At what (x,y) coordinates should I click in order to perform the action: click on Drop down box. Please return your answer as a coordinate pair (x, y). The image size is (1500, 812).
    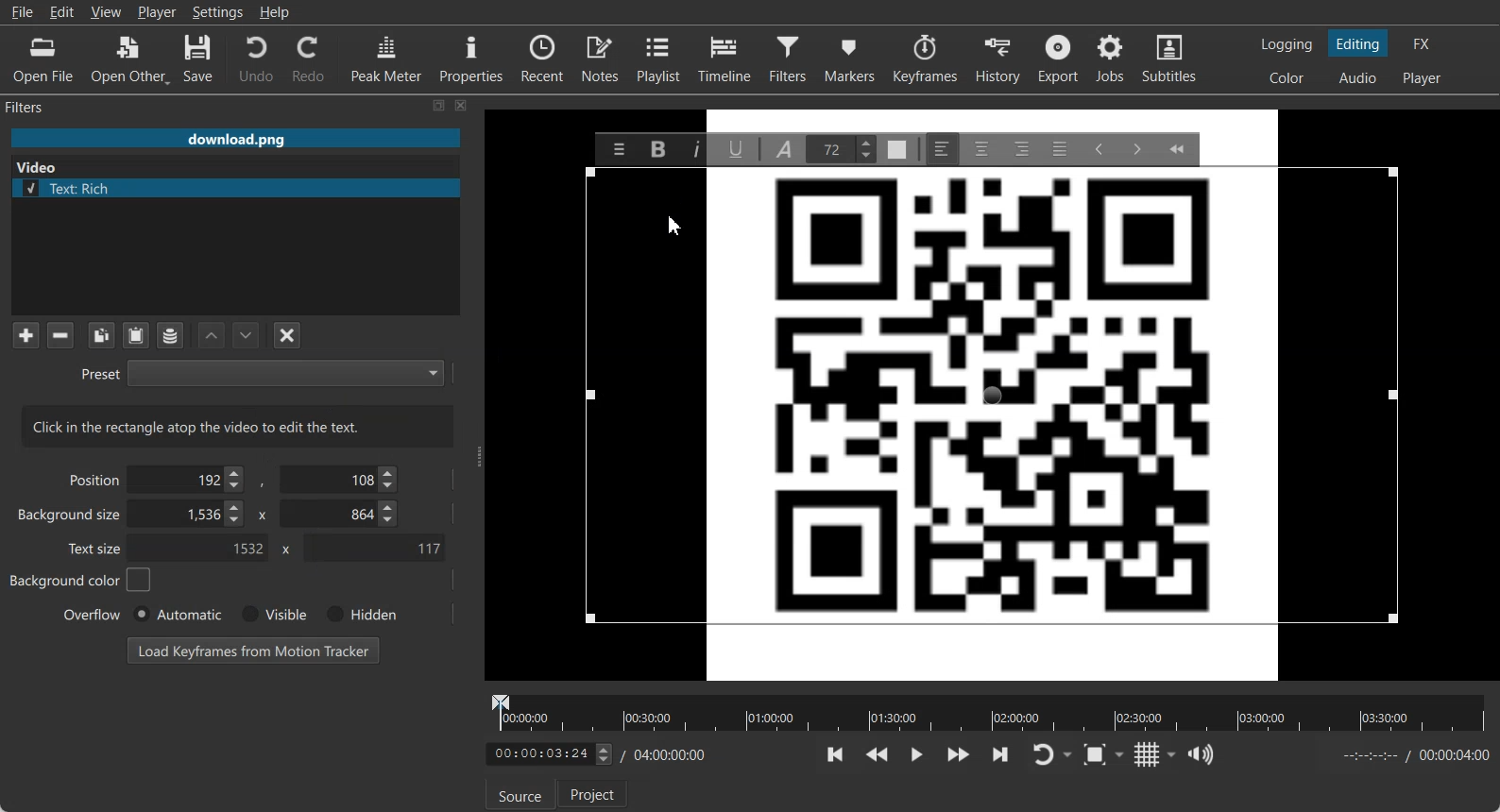
    Looking at the image, I should click on (1172, 754).